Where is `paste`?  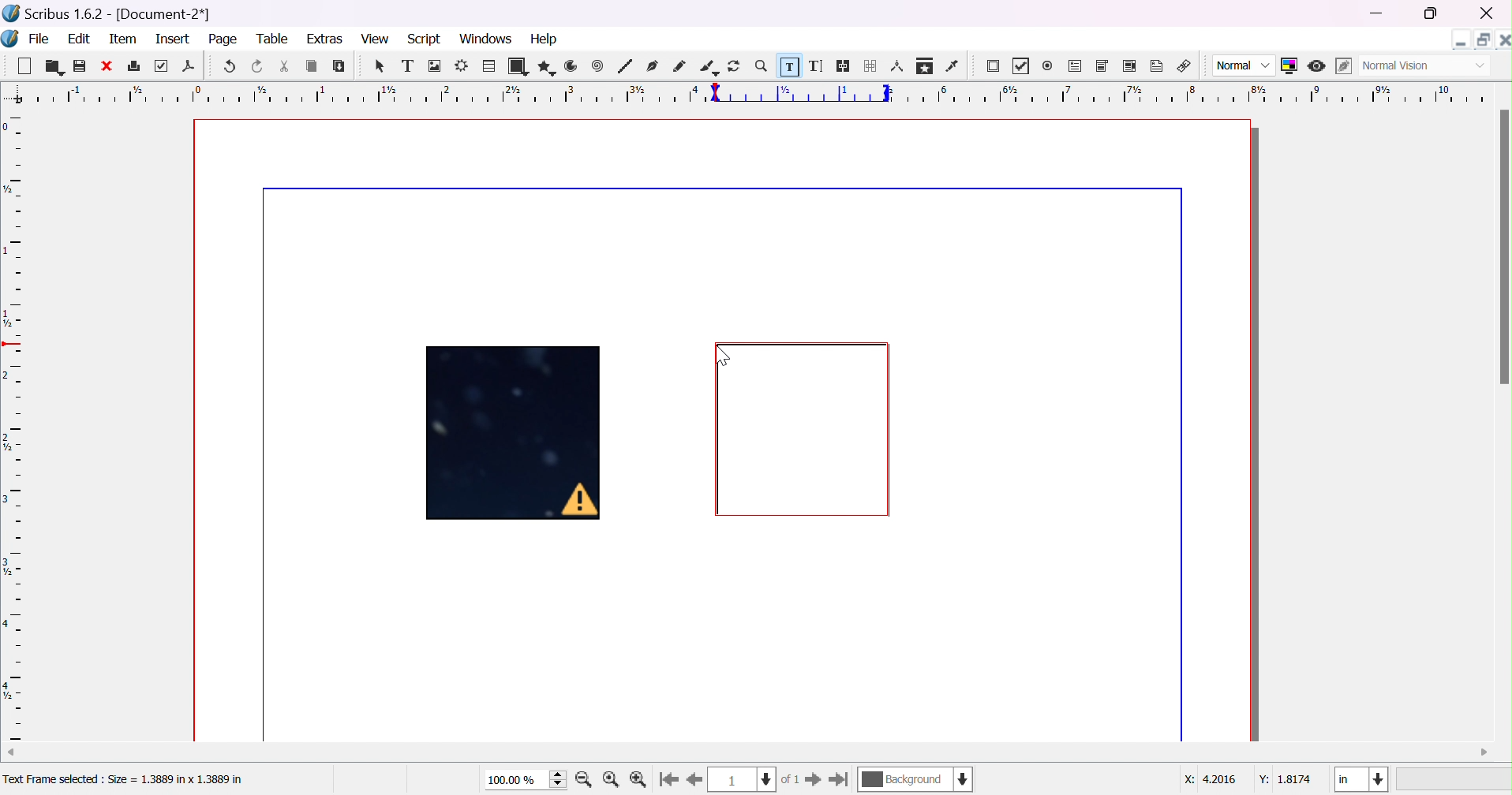
paste is located at coordinates (339, 65).